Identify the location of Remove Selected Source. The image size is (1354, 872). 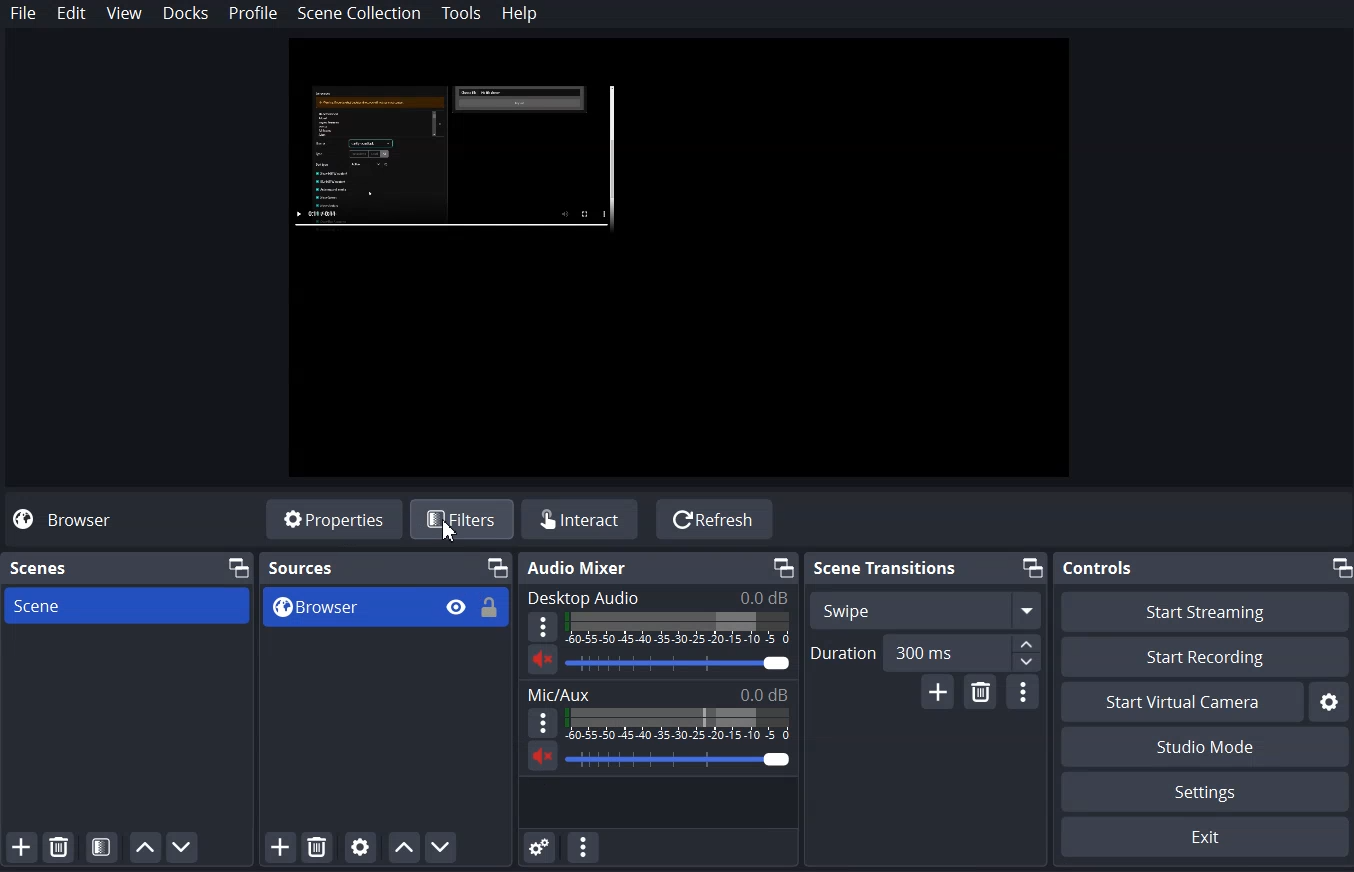
(317, 848).